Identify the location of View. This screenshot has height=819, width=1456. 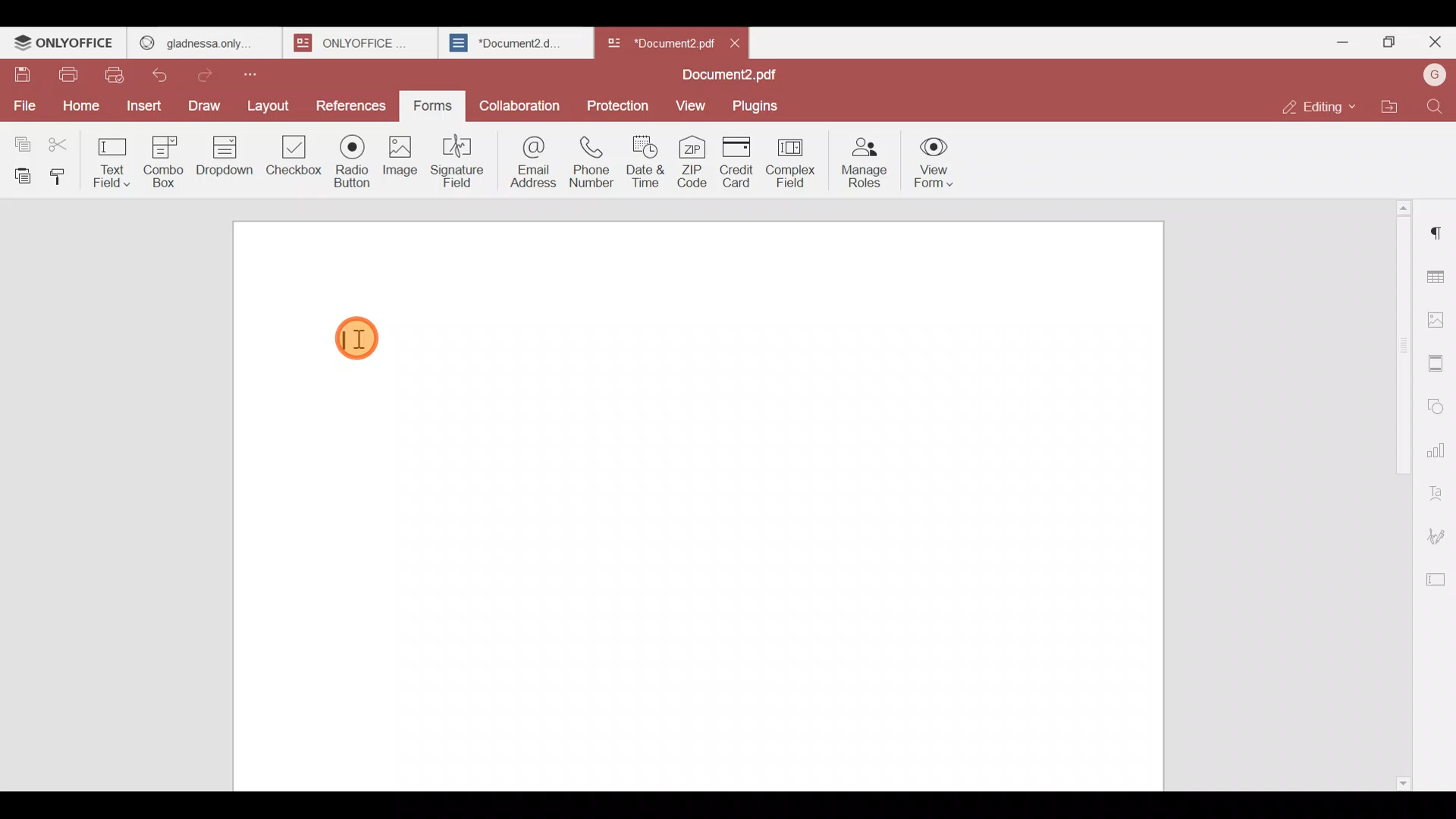
(687, 104).